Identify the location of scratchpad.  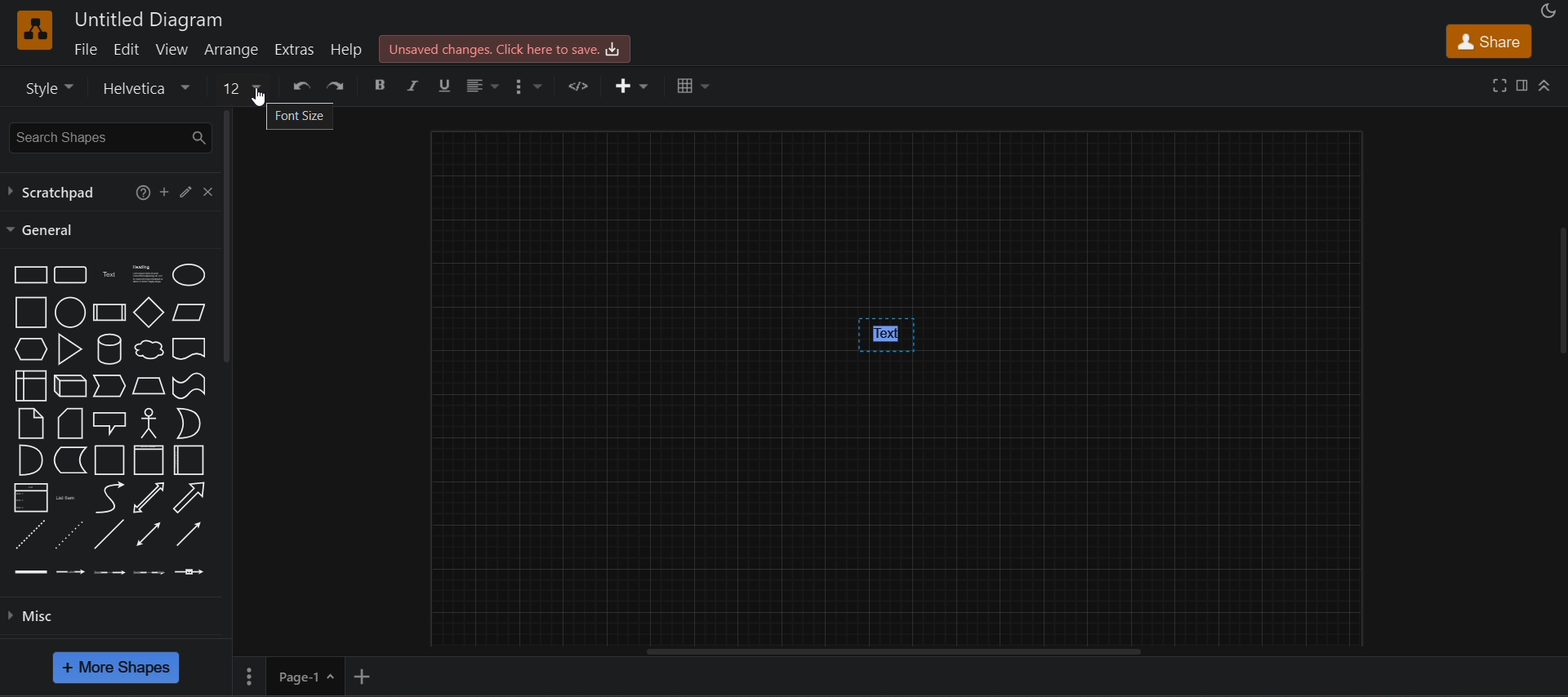
(54, 192).